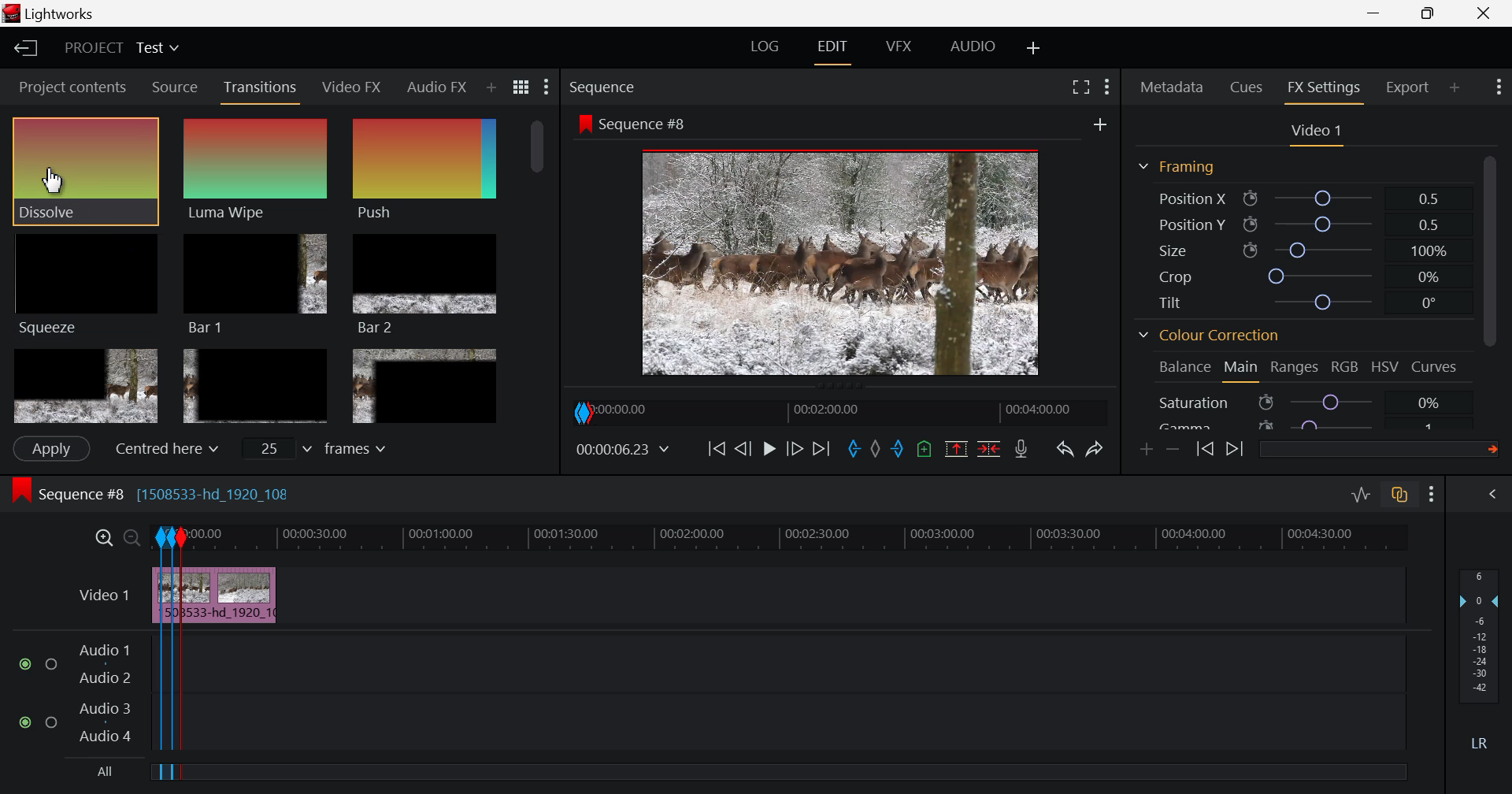 The height and width of the screenshot is (794, 1512). What do you see at coordinates (1148, 449) in the screenshot?
I see `Add keyframe` at bounding box center [1148, 449].